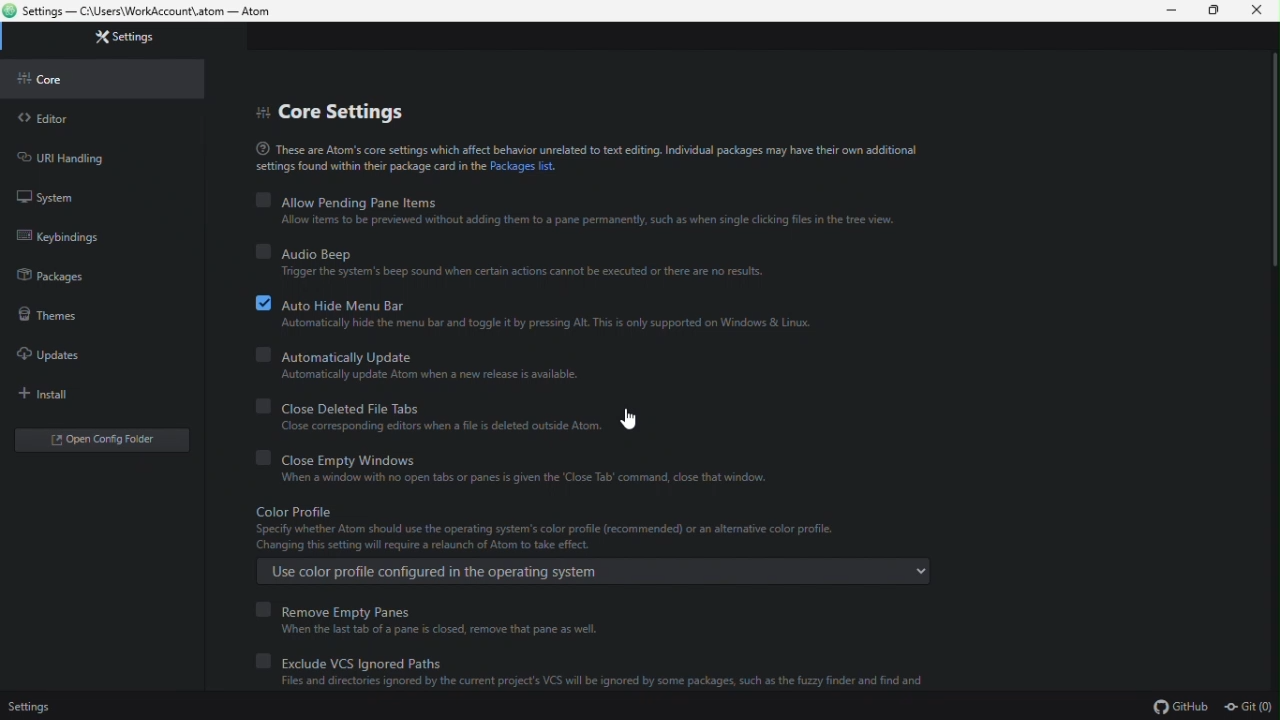 Image resolution: width=1280 pixels, height=720 pixels. I want to click on minimize, so click(1162, 11).